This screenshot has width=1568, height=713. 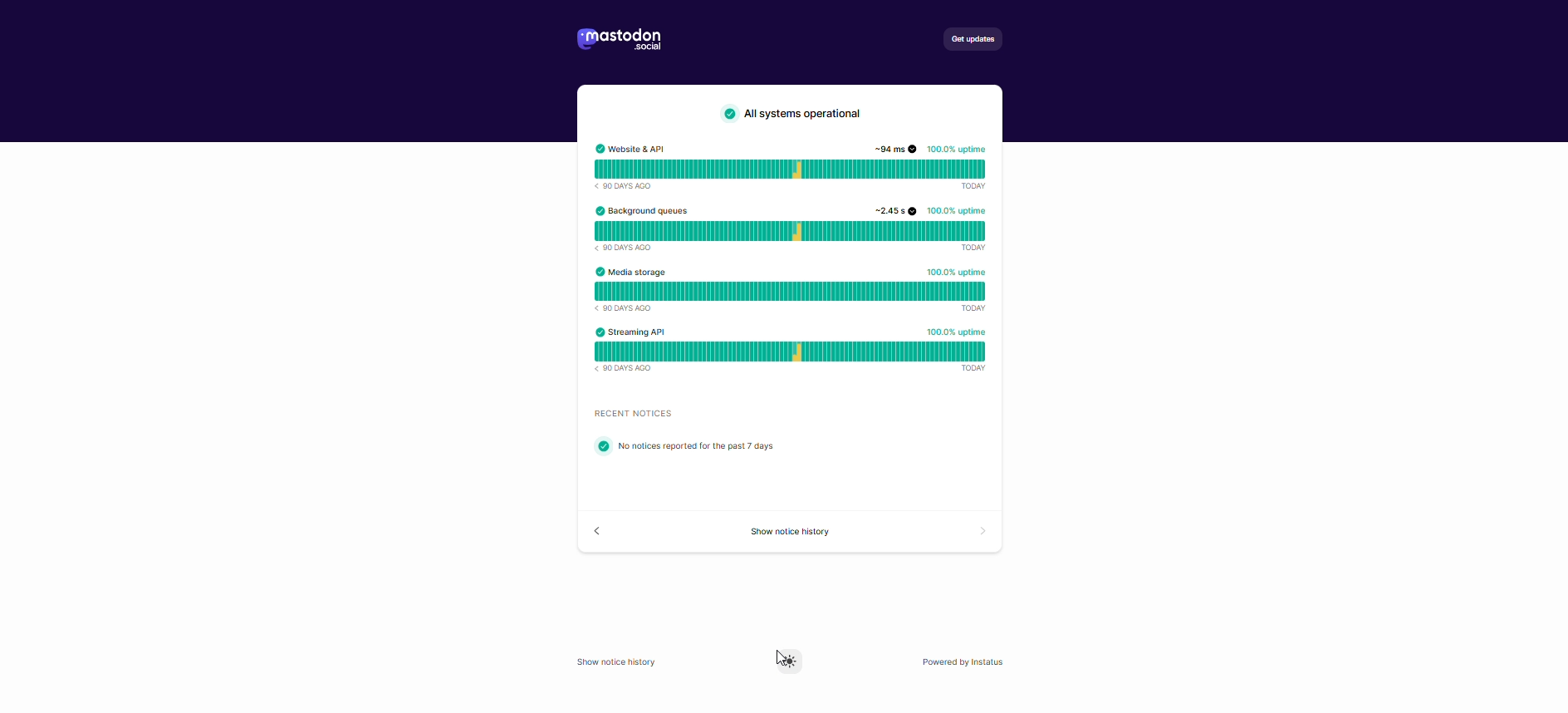 I want to click on logo, so click(x=620, y=42).